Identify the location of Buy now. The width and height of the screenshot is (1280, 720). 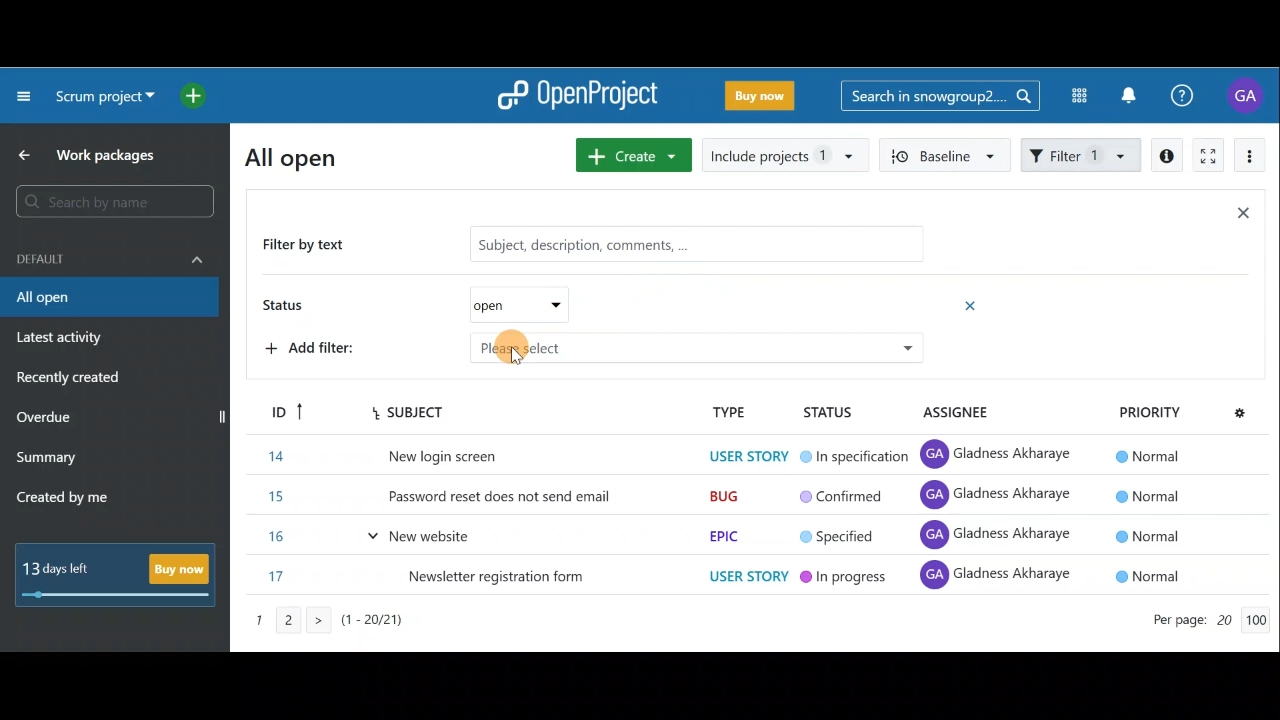
(764, 99).